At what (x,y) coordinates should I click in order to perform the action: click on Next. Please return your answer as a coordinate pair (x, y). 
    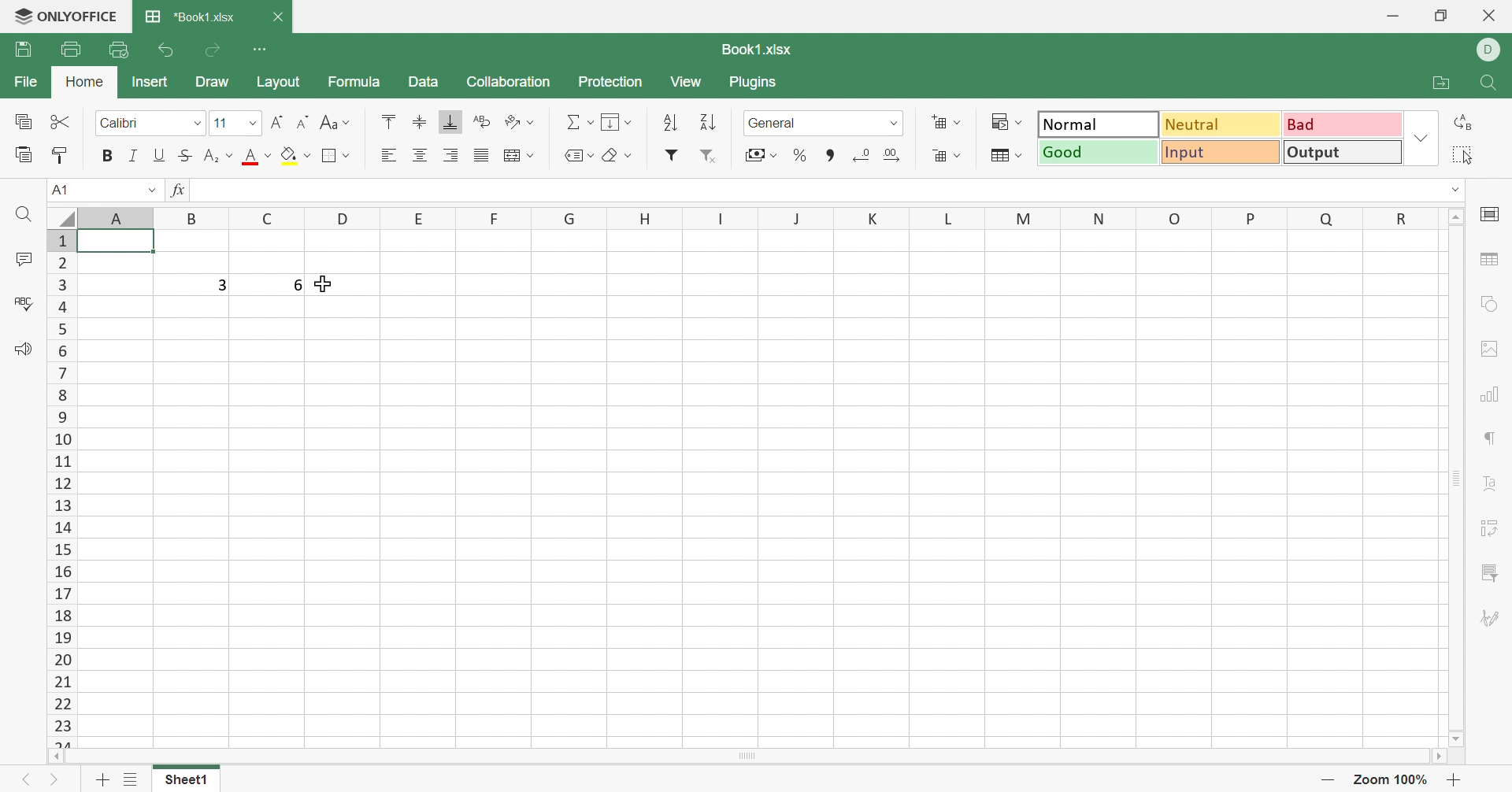
    Looking at the image, I should click on (55, 780).